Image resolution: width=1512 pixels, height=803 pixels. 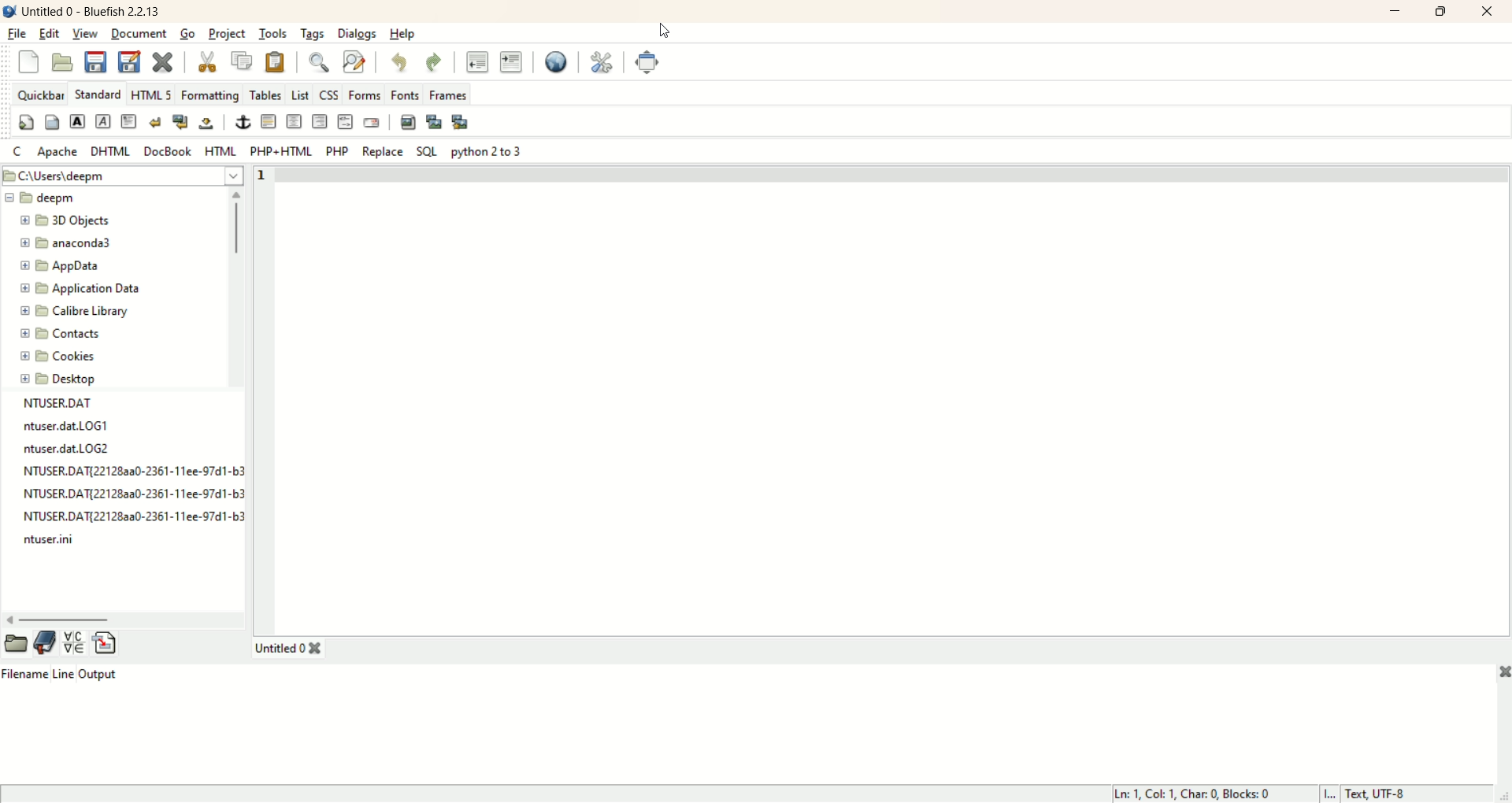 What do you see at coordinates (61, 268) in the screenshot?
I see `appdata` at bounding box center [61, 268].